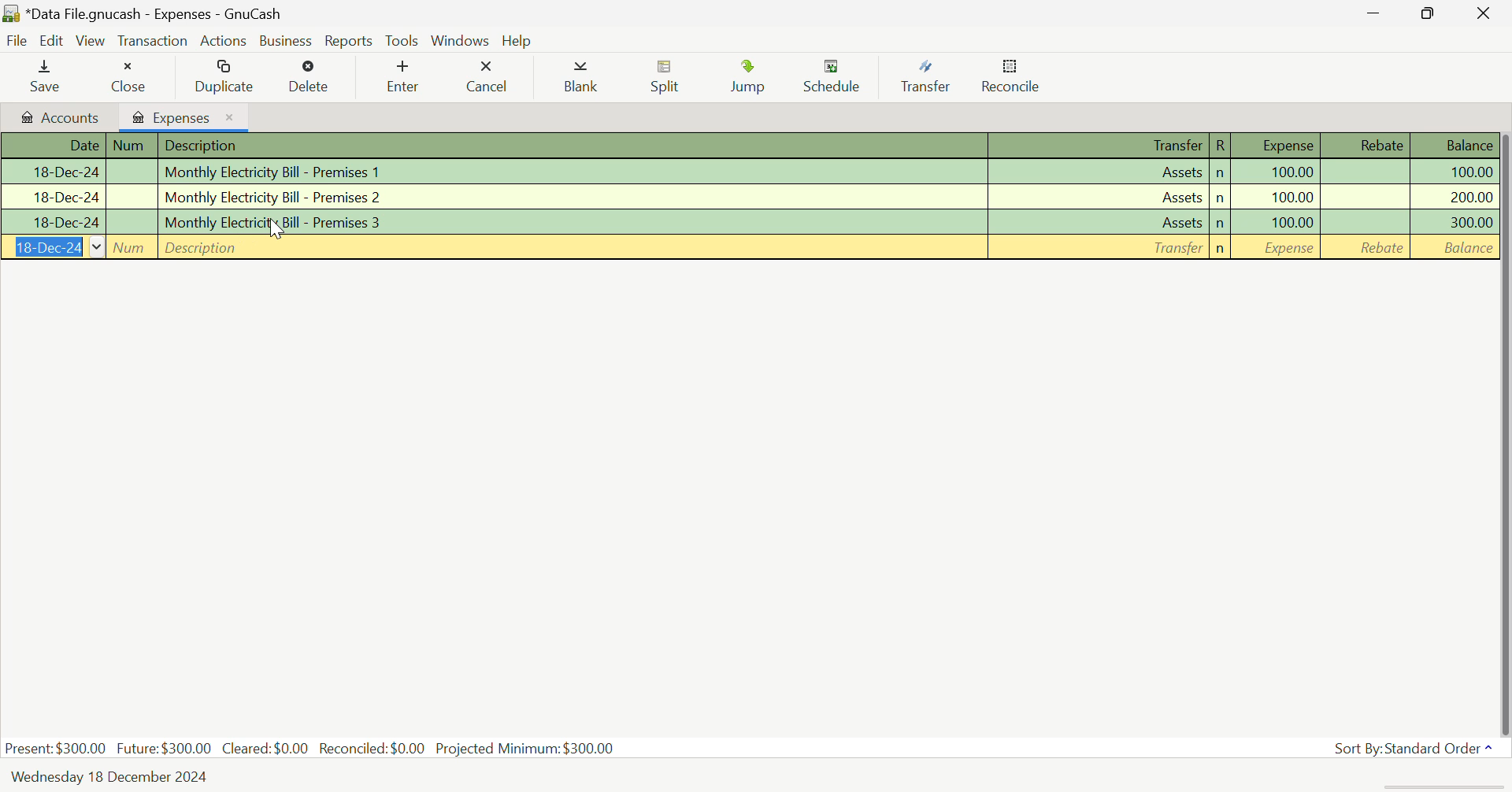  What do you see at coordinates (1010, 80) in the screenshot?
I see `Reconcile` at bounding box center [1010, 80].